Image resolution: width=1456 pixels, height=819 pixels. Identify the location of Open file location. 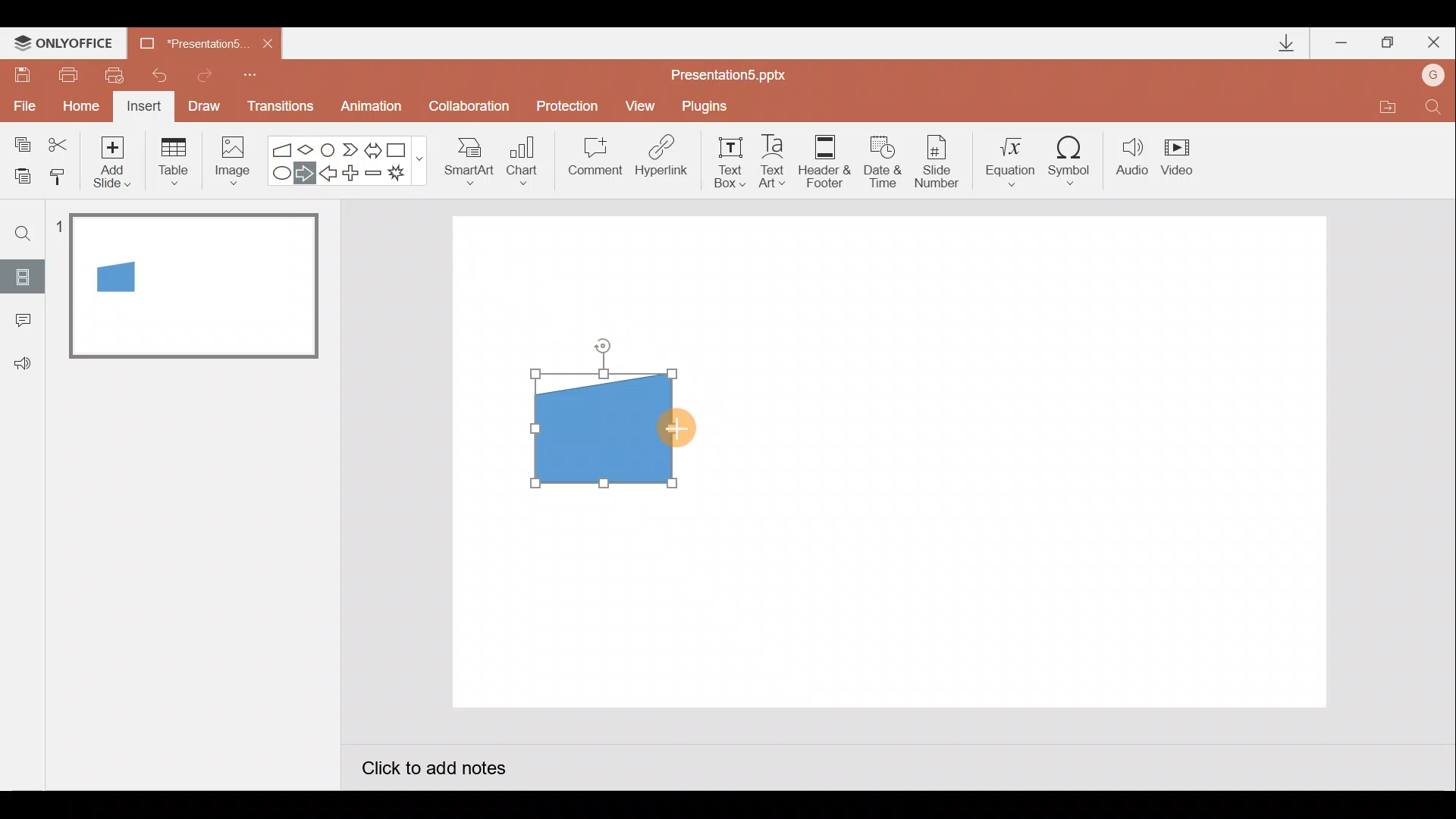
(1387, 109).